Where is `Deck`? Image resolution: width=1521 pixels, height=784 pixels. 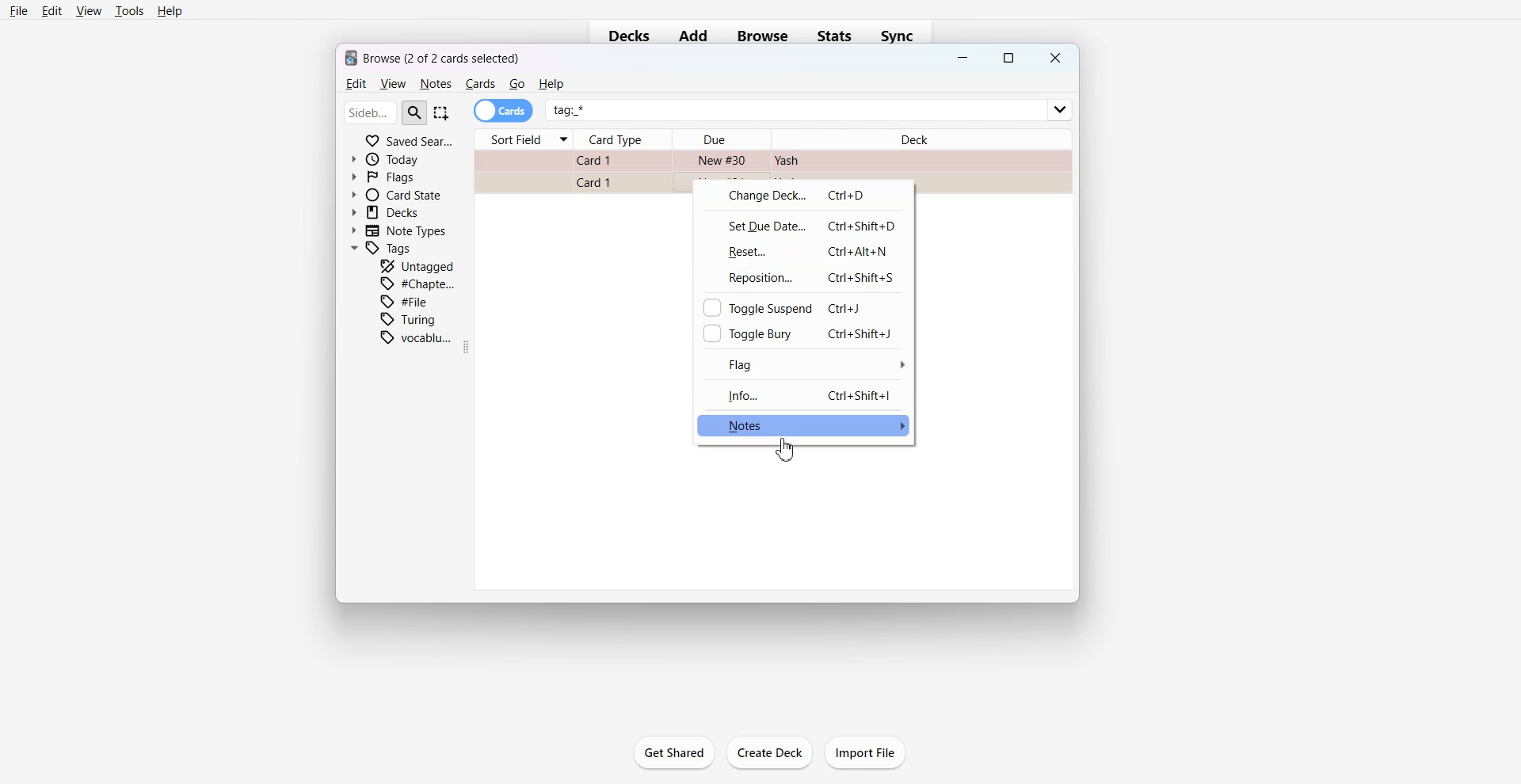 Deck is located at coordinates (920, 135).